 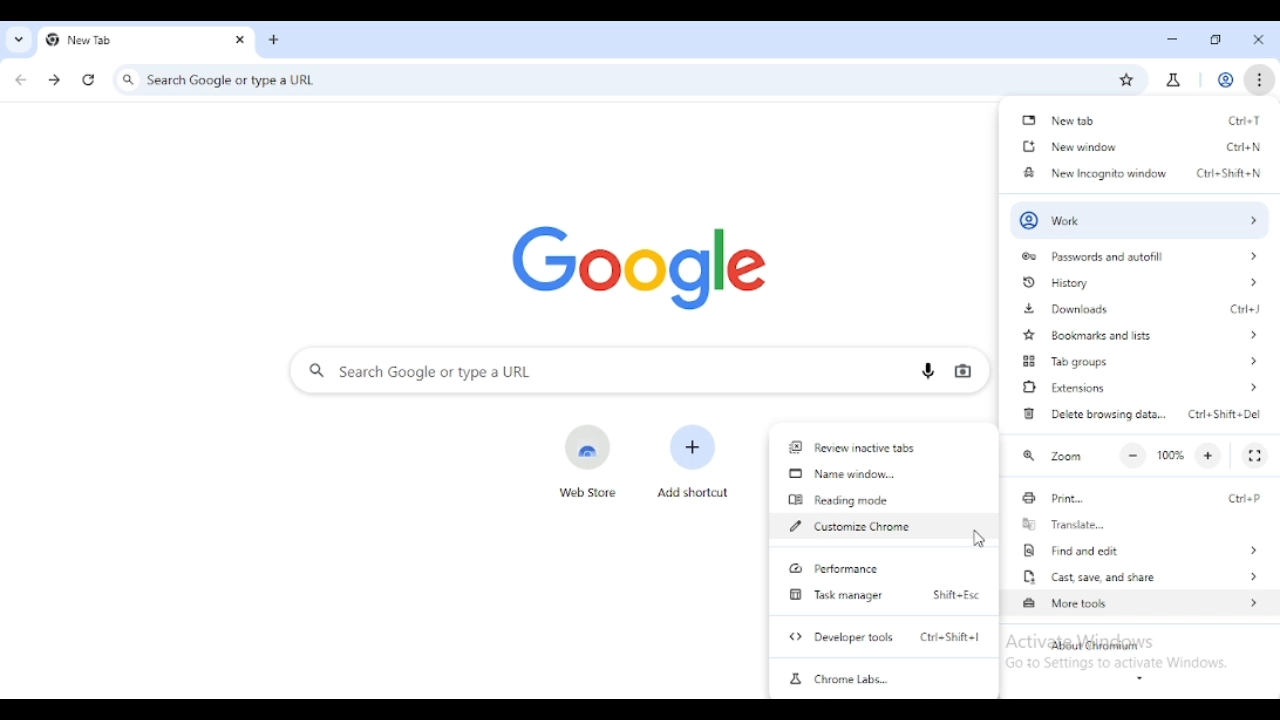 What do you see at coordinates (1243, 147) in the screenshot?
I see `shortcut for new window` at bounding box center [1243, 147].